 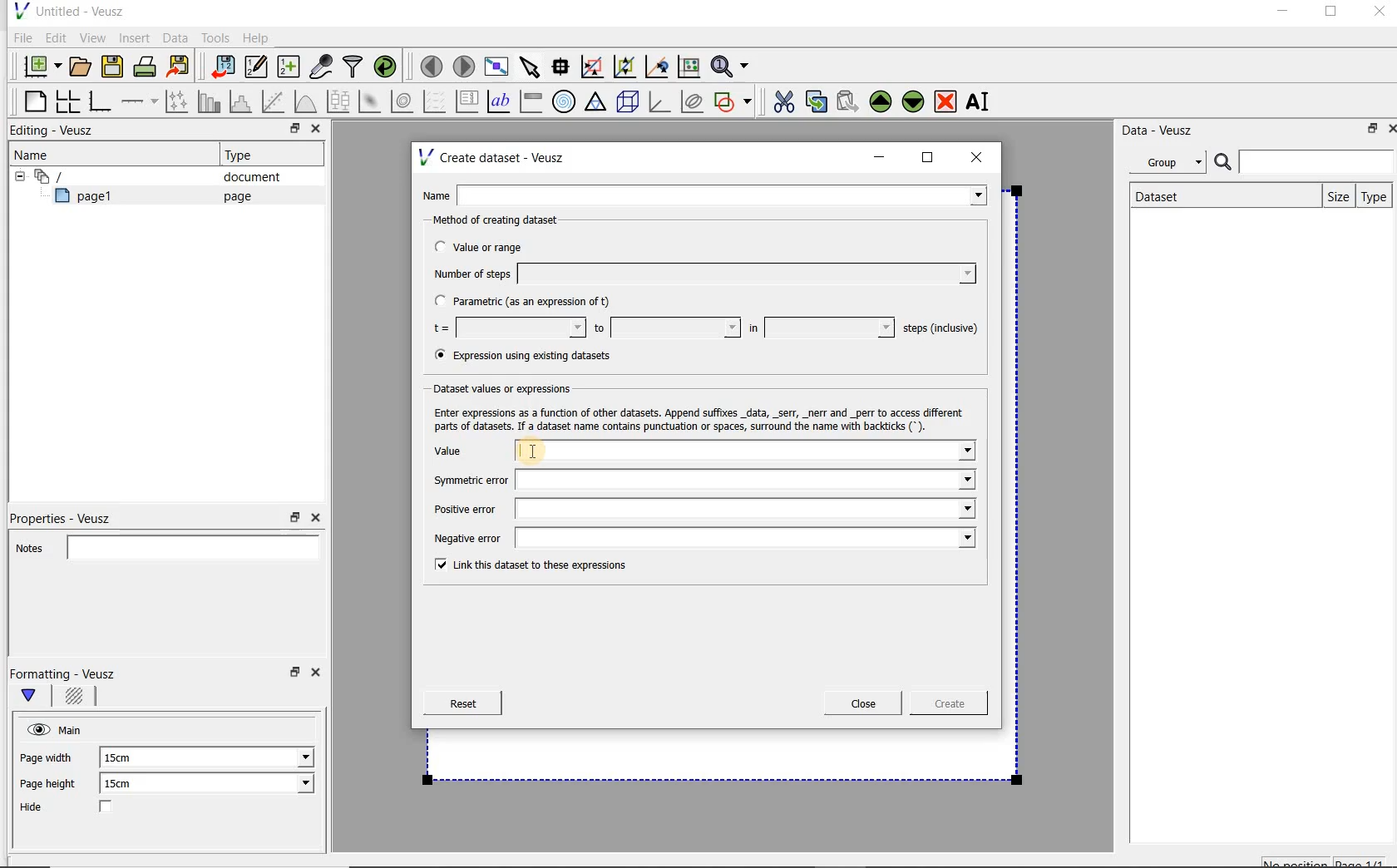 What do you see at coordinates (293, 677) in the screenshot?
I see `restore down` at bounding box center [293, 677].